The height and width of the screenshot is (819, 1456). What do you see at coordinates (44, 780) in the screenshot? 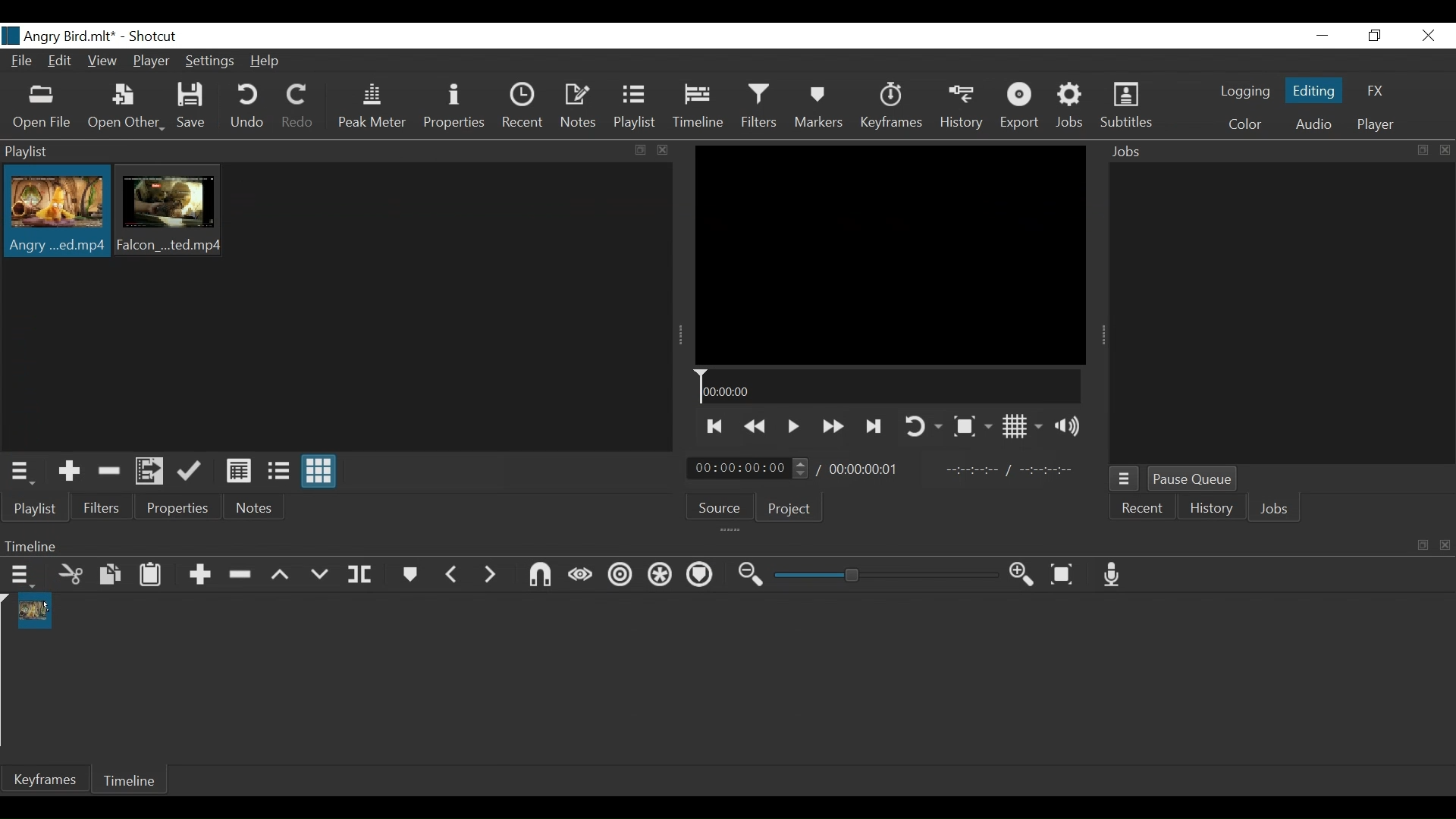
I see `Keyframe` at bounding box center [44, 780].